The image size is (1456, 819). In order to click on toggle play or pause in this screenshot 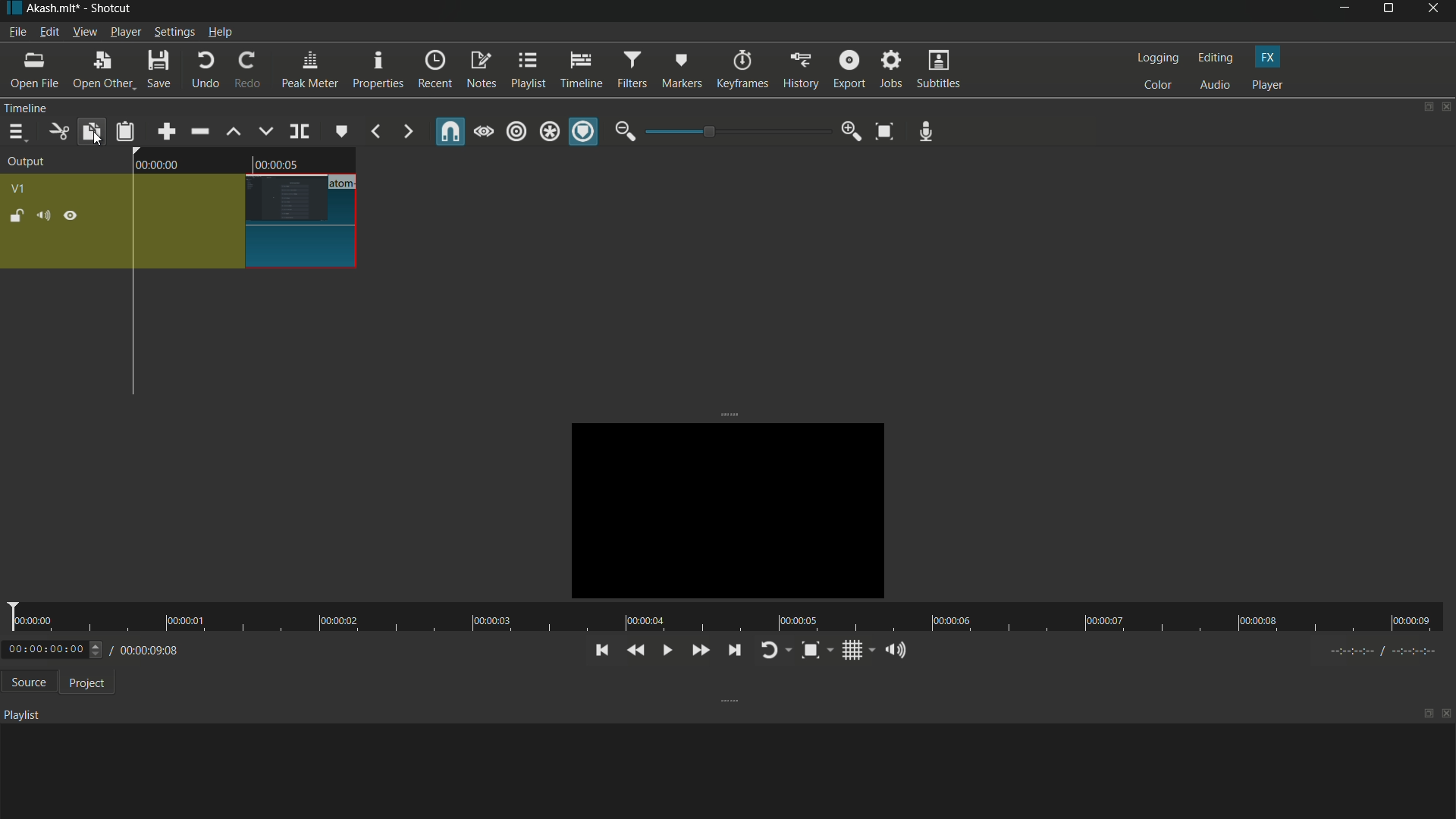, I will do `click(665, 650)`.